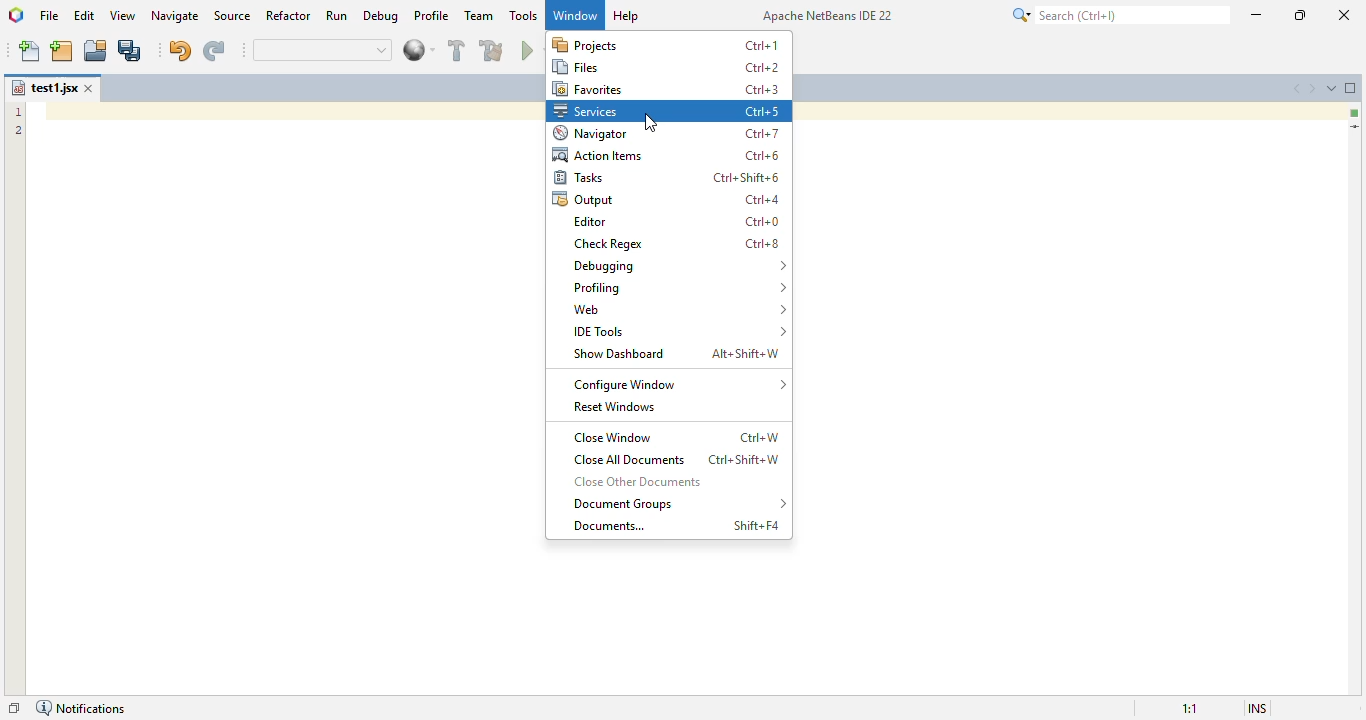  I want to click on shortcut for regex, so click(762, 243).